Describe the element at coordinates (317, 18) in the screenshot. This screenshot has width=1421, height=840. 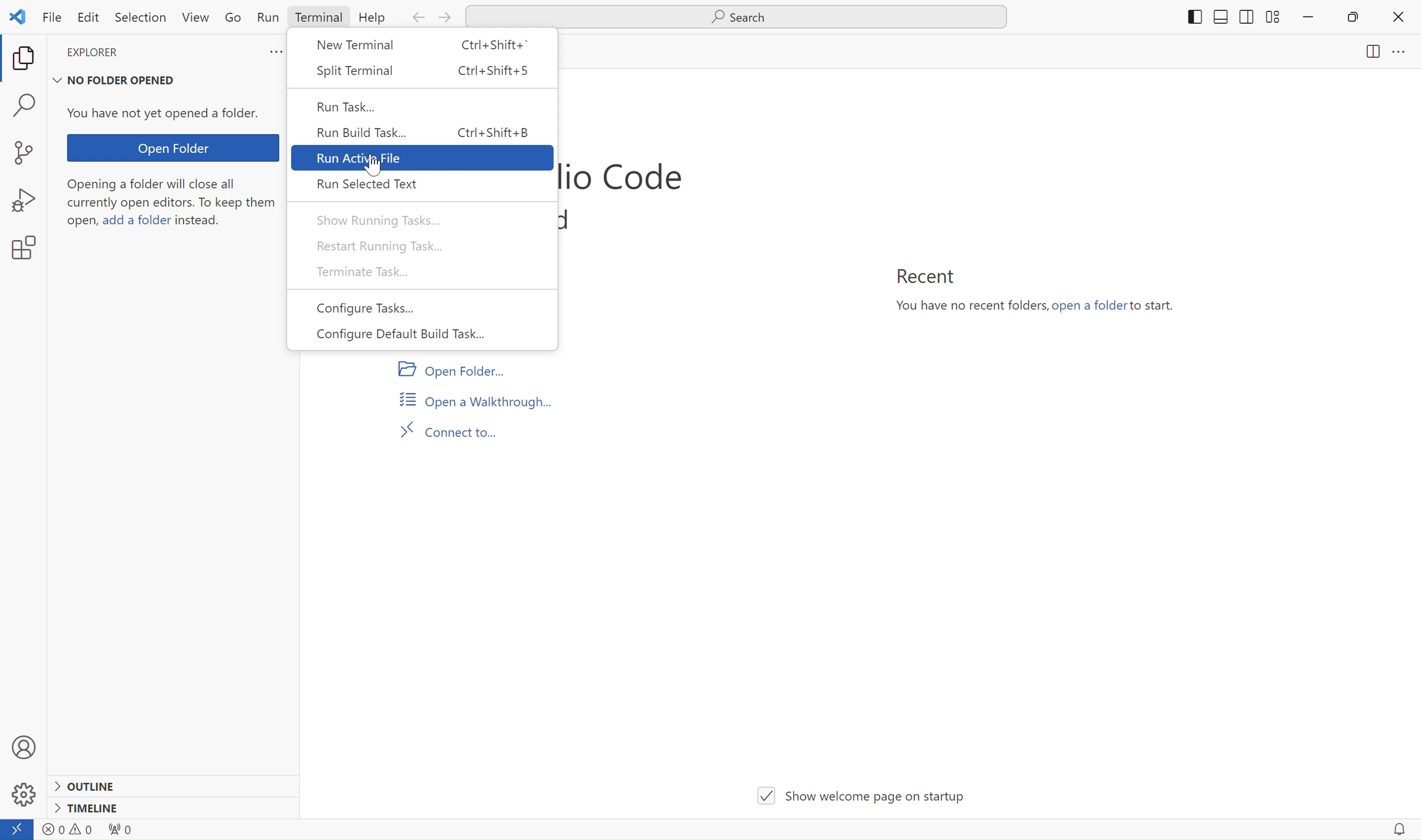
I see `Terminal` at that location.